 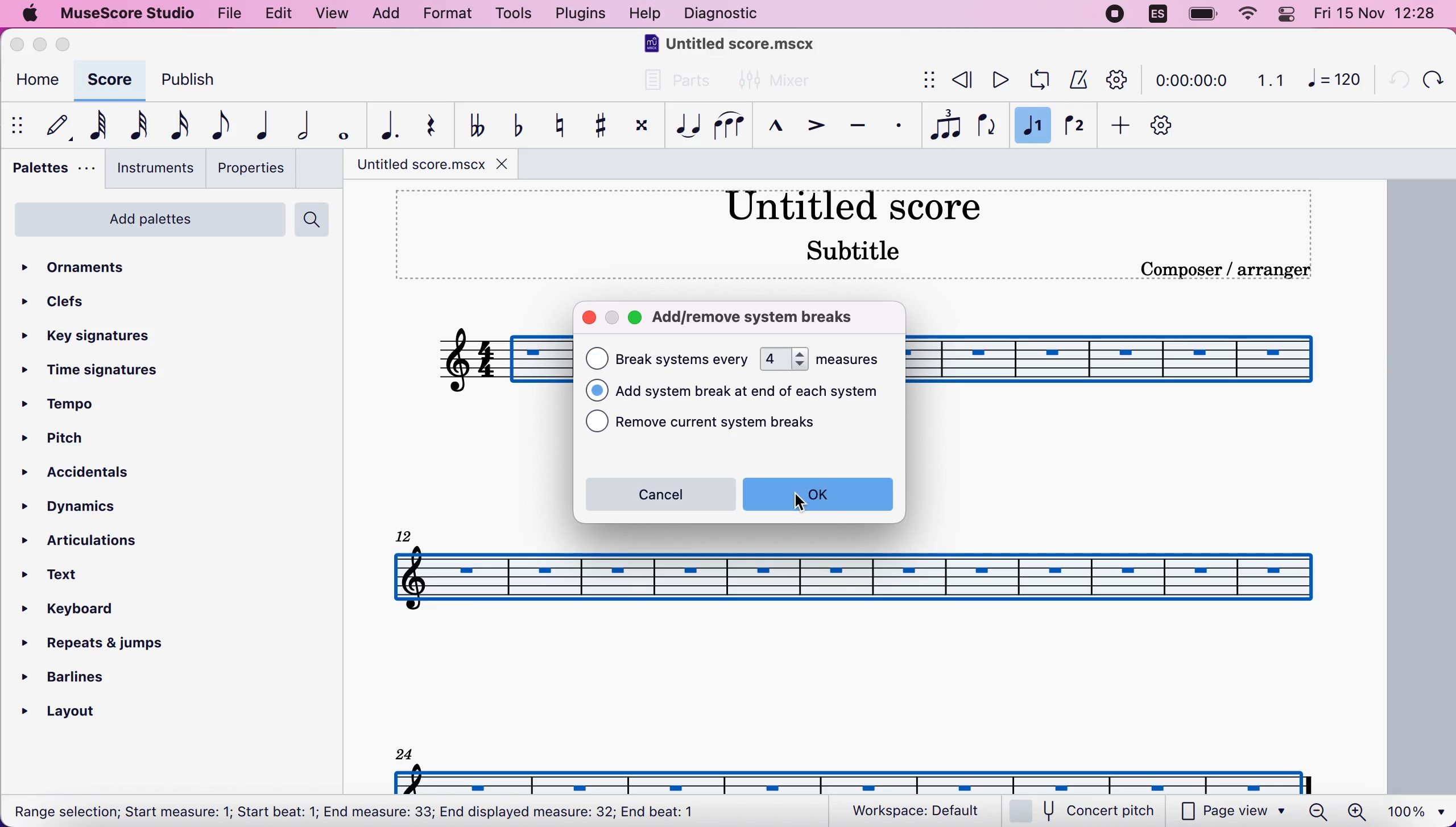 I want to click on slur, so click(x=729, y=125).